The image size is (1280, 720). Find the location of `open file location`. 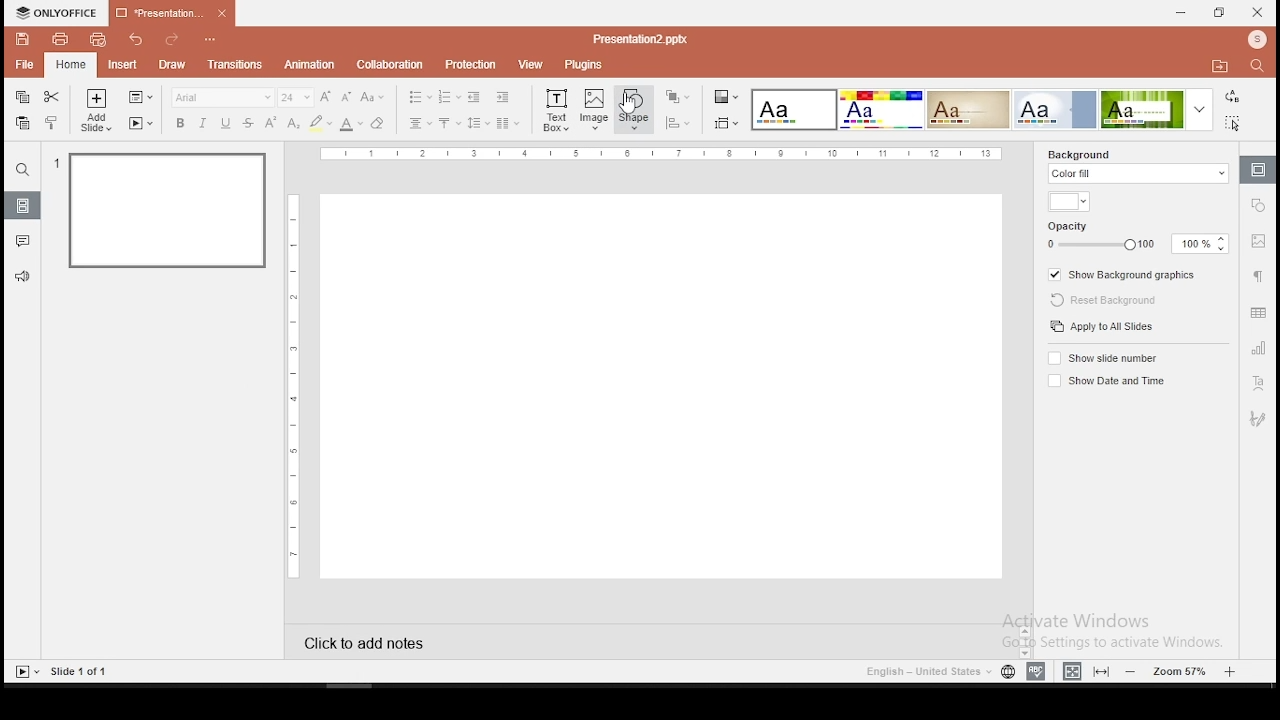

open file location is located at coordinates (1219, 67).